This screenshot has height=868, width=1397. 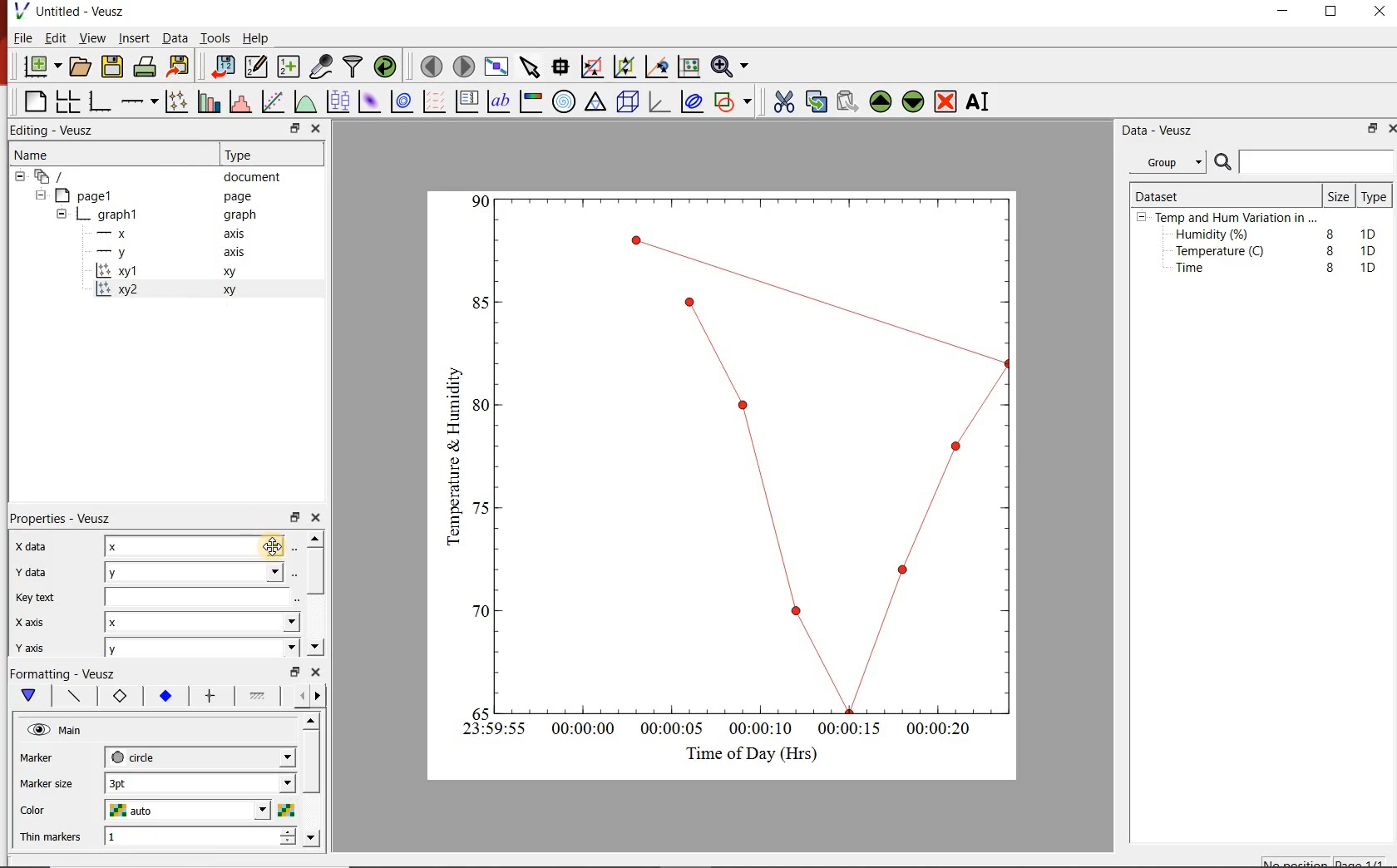 What do you see at coordinates (595, 67) in the screenshot?
I see `click or draw a rectangle to zoom graph axes` at bounding box center [595, 67].